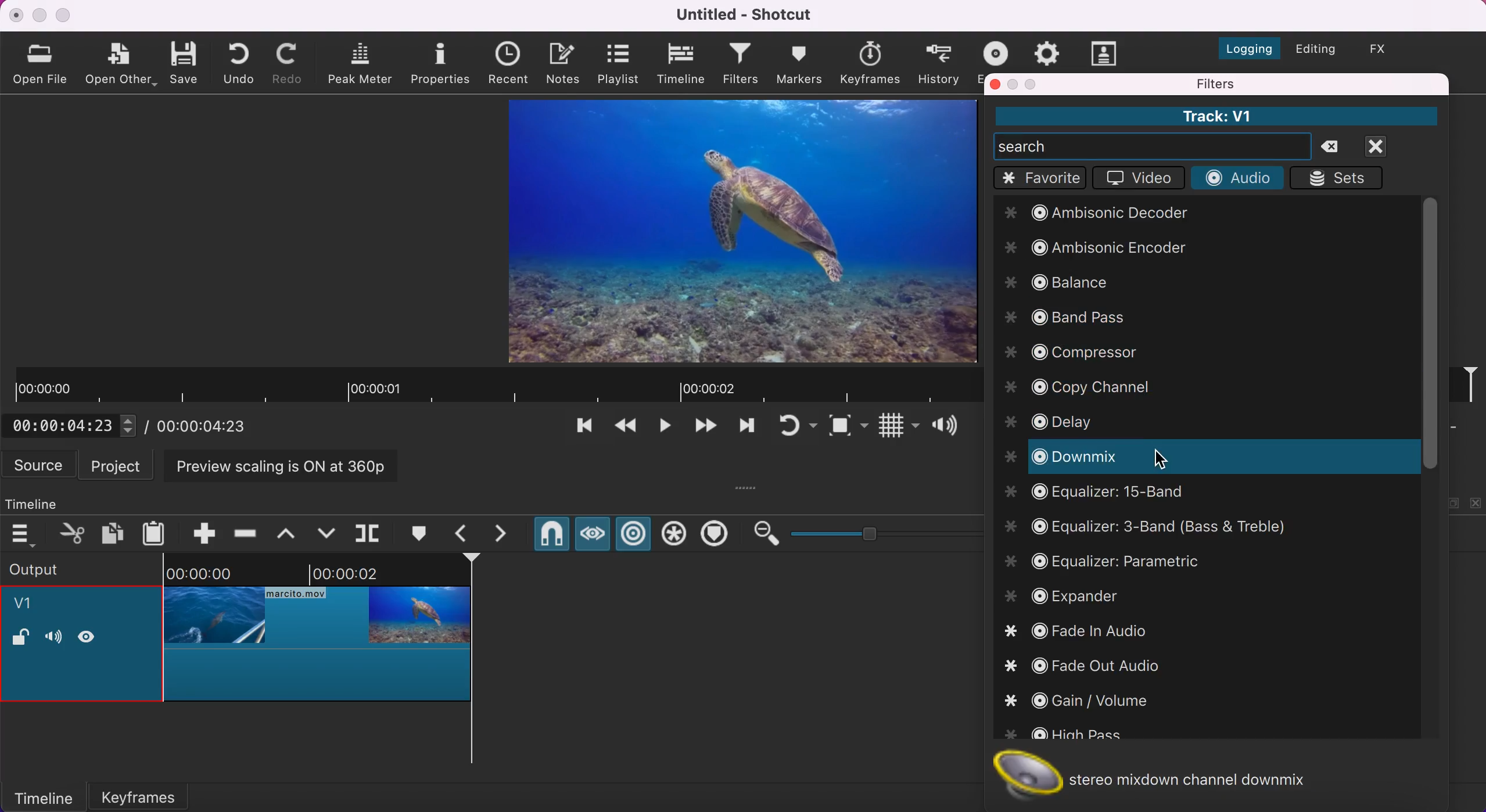 The width and height of the screenshot is (1486, 812). I want to click on split at playhead, so click(370, 534).